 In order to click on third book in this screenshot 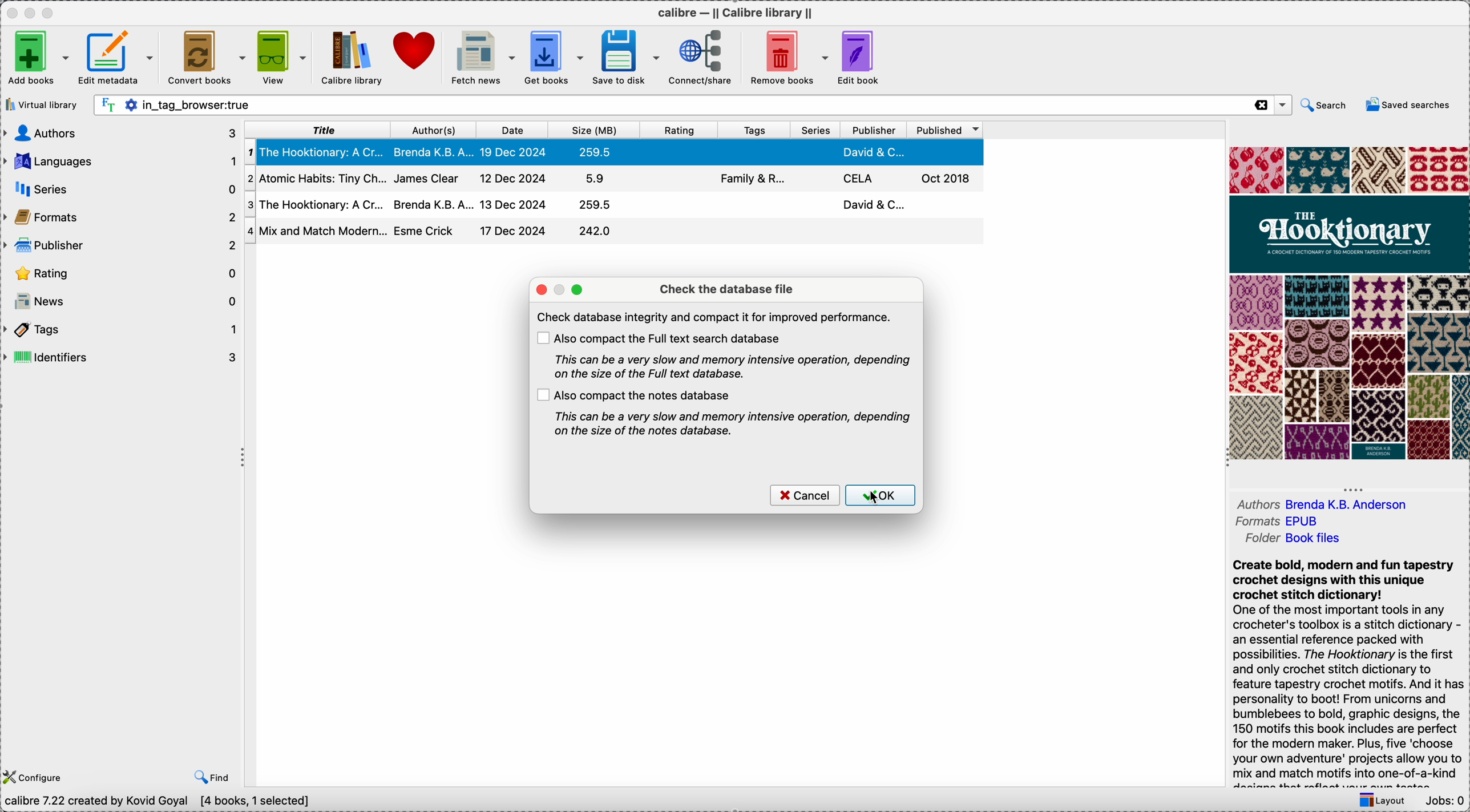, I will do `click(613, 205)`.